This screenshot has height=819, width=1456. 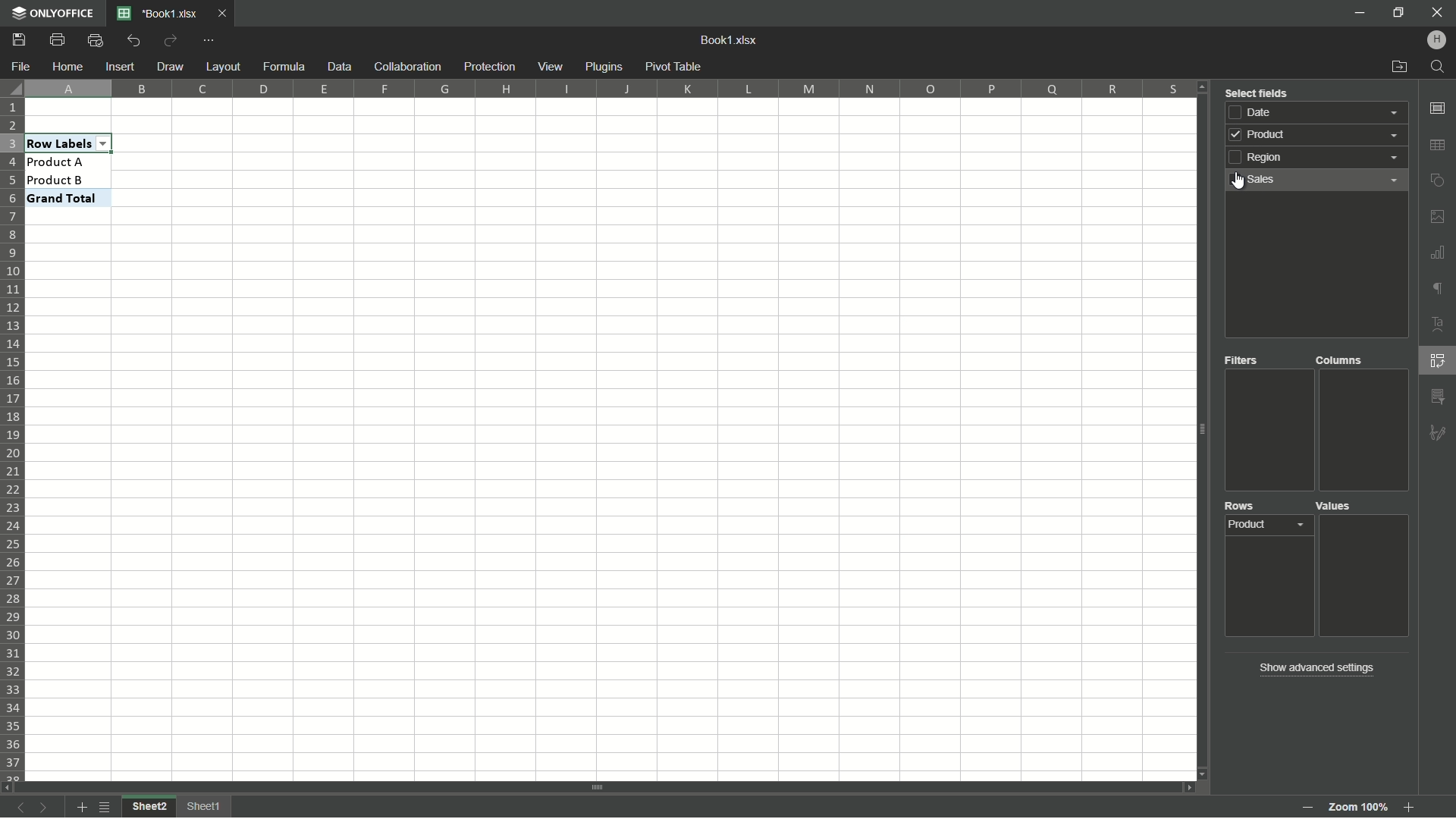 What do you see at coordinates (1314, 667) in the screenshot?
I see `Show advanced settings` at bounding box center [1314, 667].